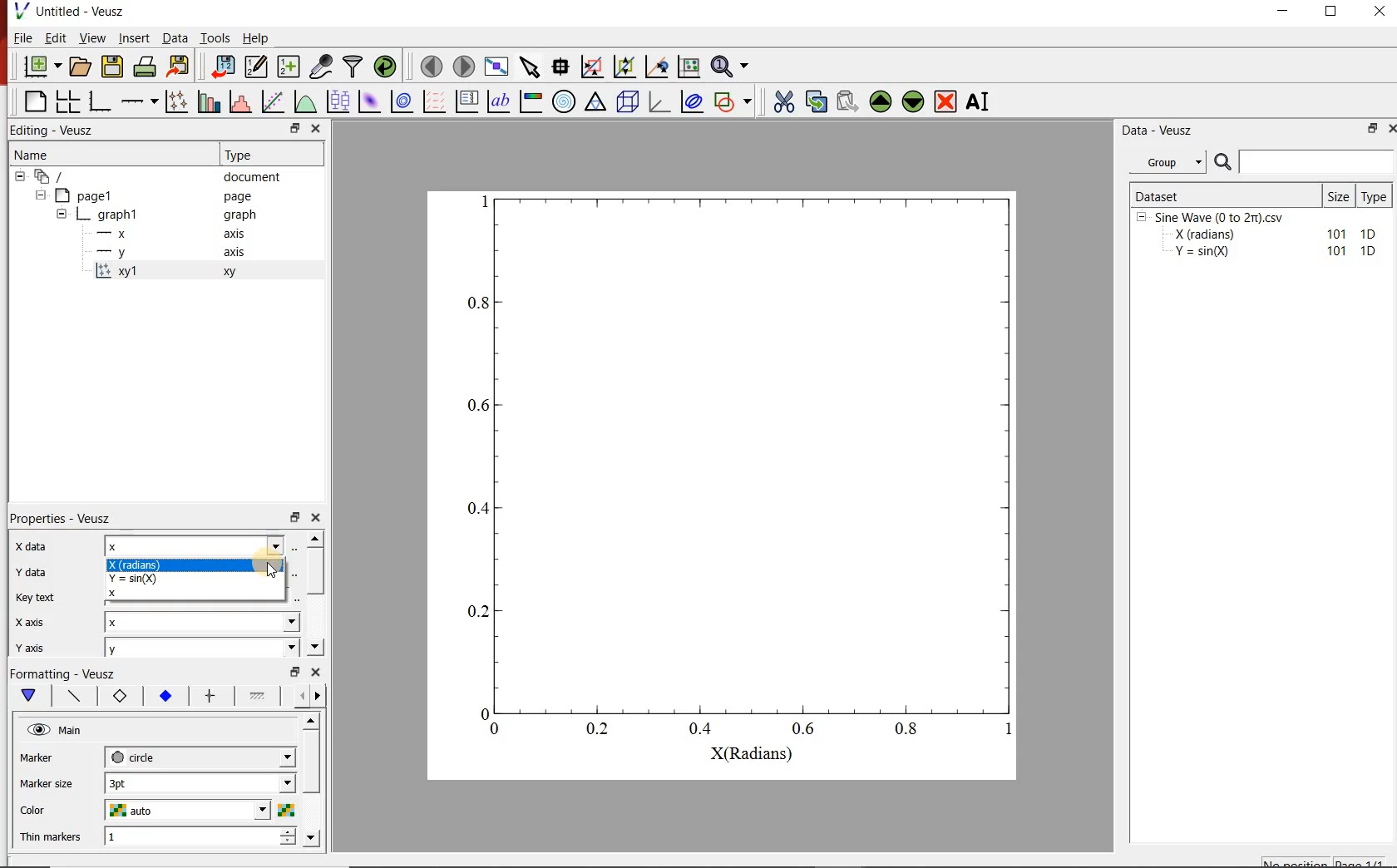  Describe the element at coordinates (55, 131) in the screenshot. I see `Editing - Veusz` at that location.